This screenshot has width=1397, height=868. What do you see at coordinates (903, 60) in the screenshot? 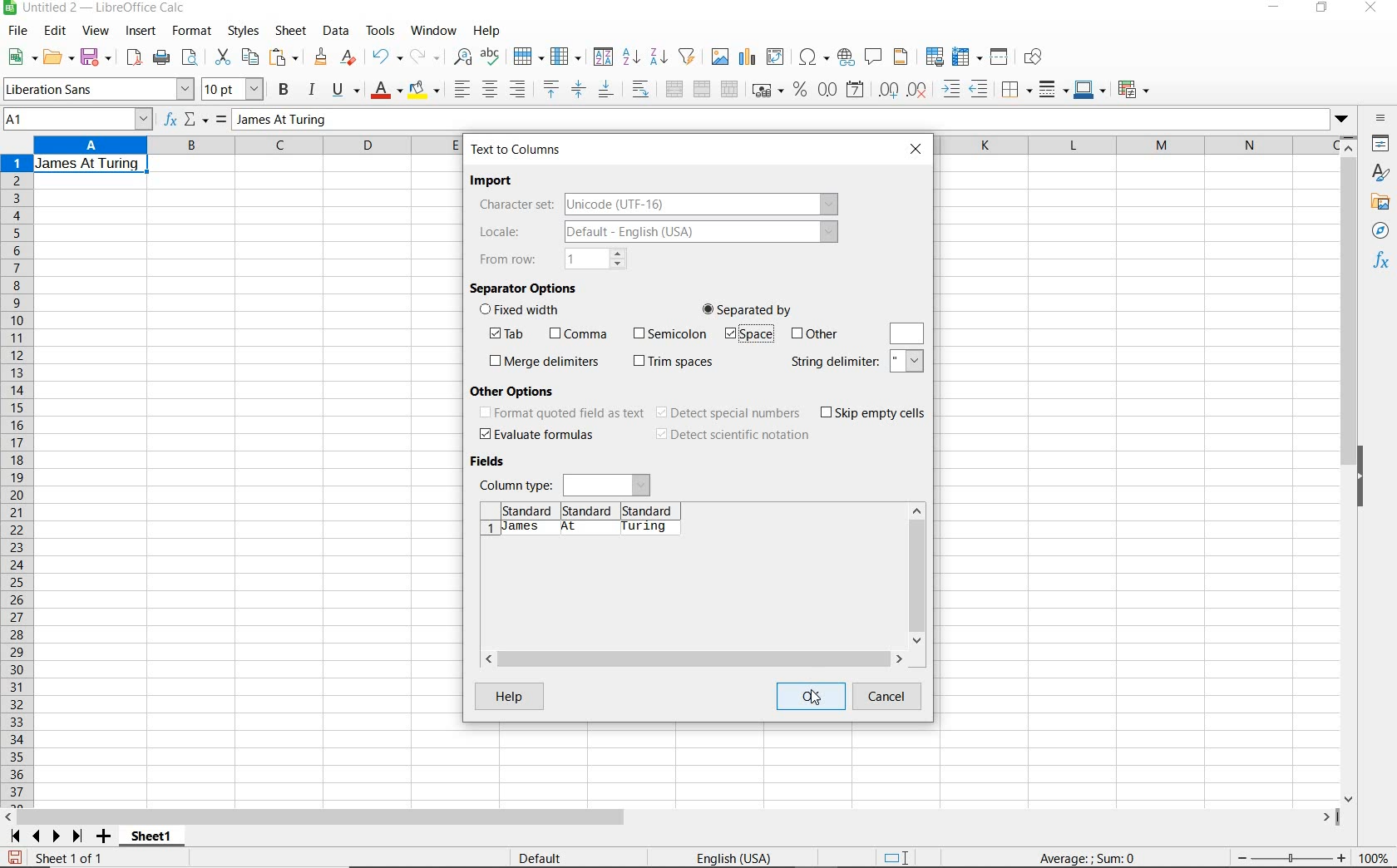
I see `headers and footers` at bounding box center [903, 60].